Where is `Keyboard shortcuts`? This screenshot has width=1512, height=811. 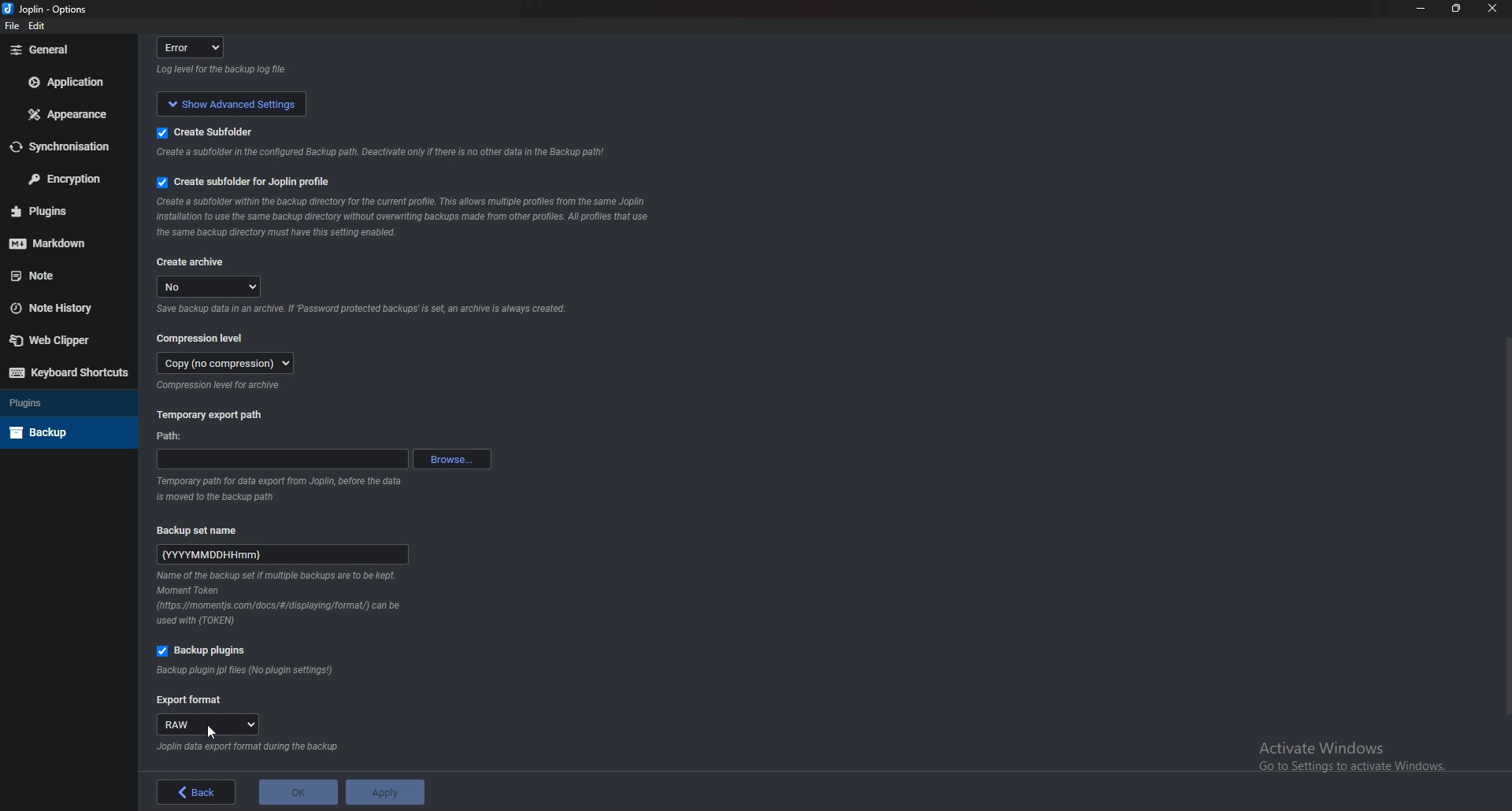
Keyboard shortcuts is located at coordinates (69, 372).